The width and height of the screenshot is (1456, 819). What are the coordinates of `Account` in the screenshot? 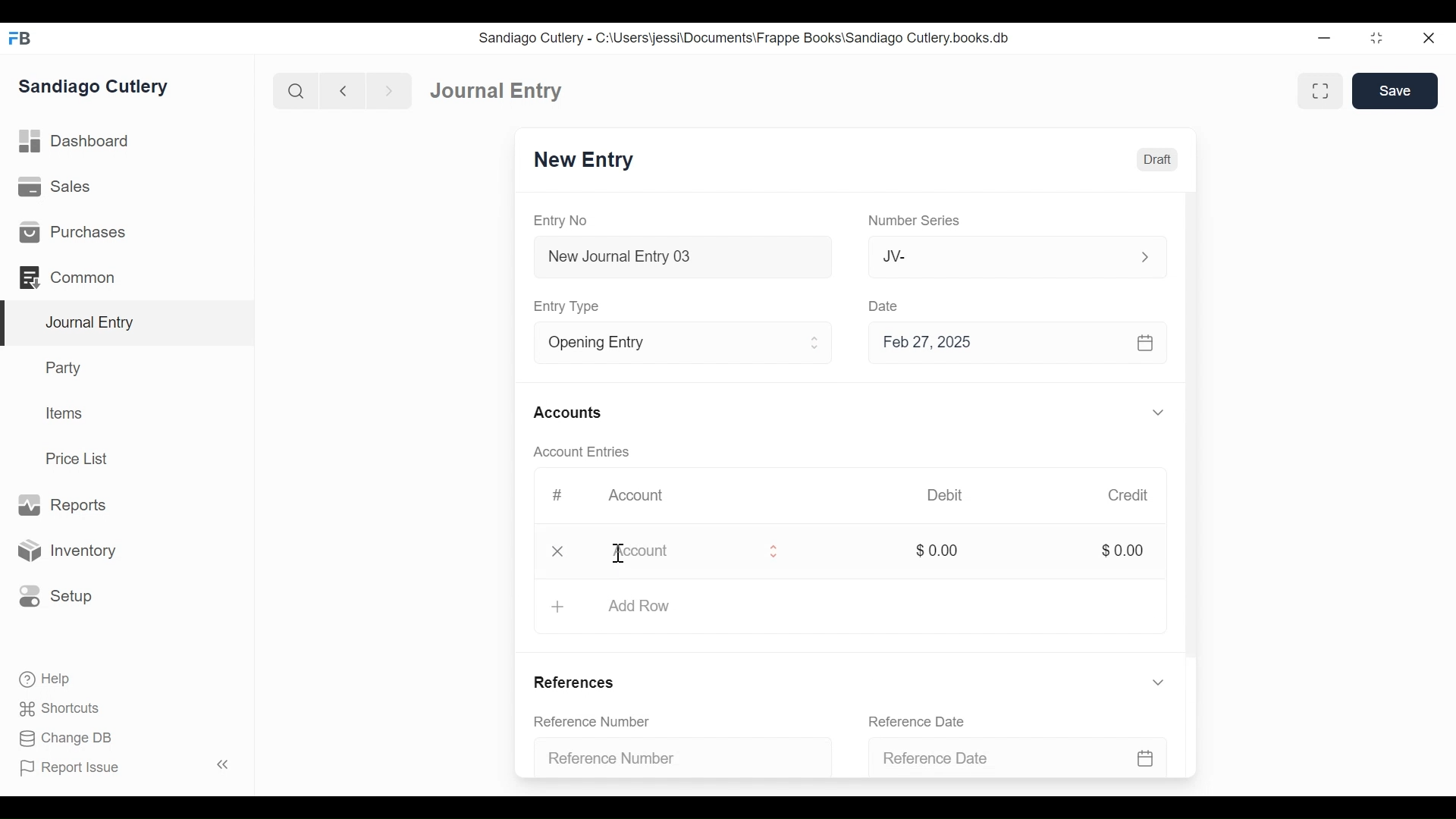 It's located at (672, 549).